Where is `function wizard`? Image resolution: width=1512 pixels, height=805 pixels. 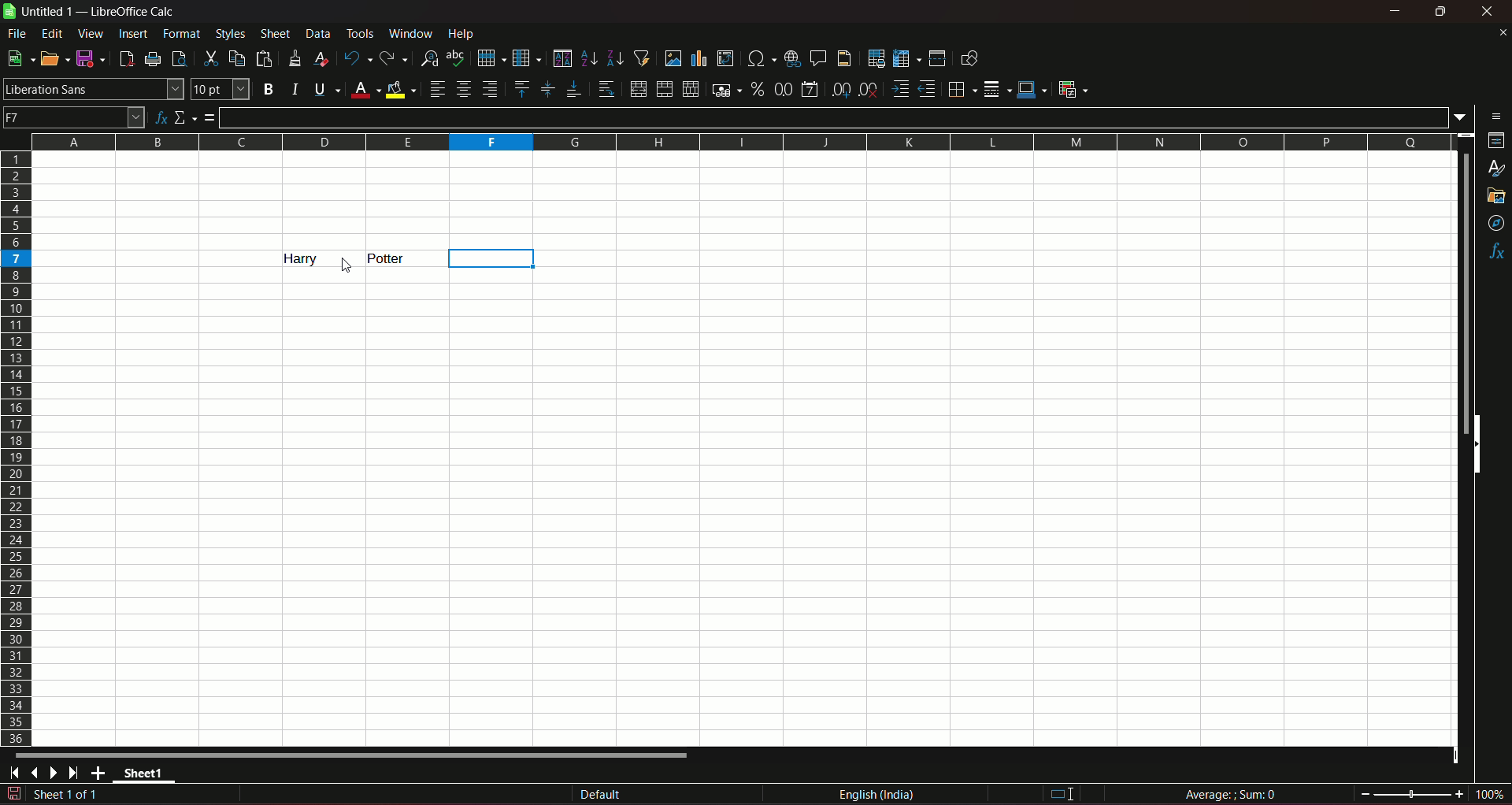
function wizard is located at coordinates (159, 118).